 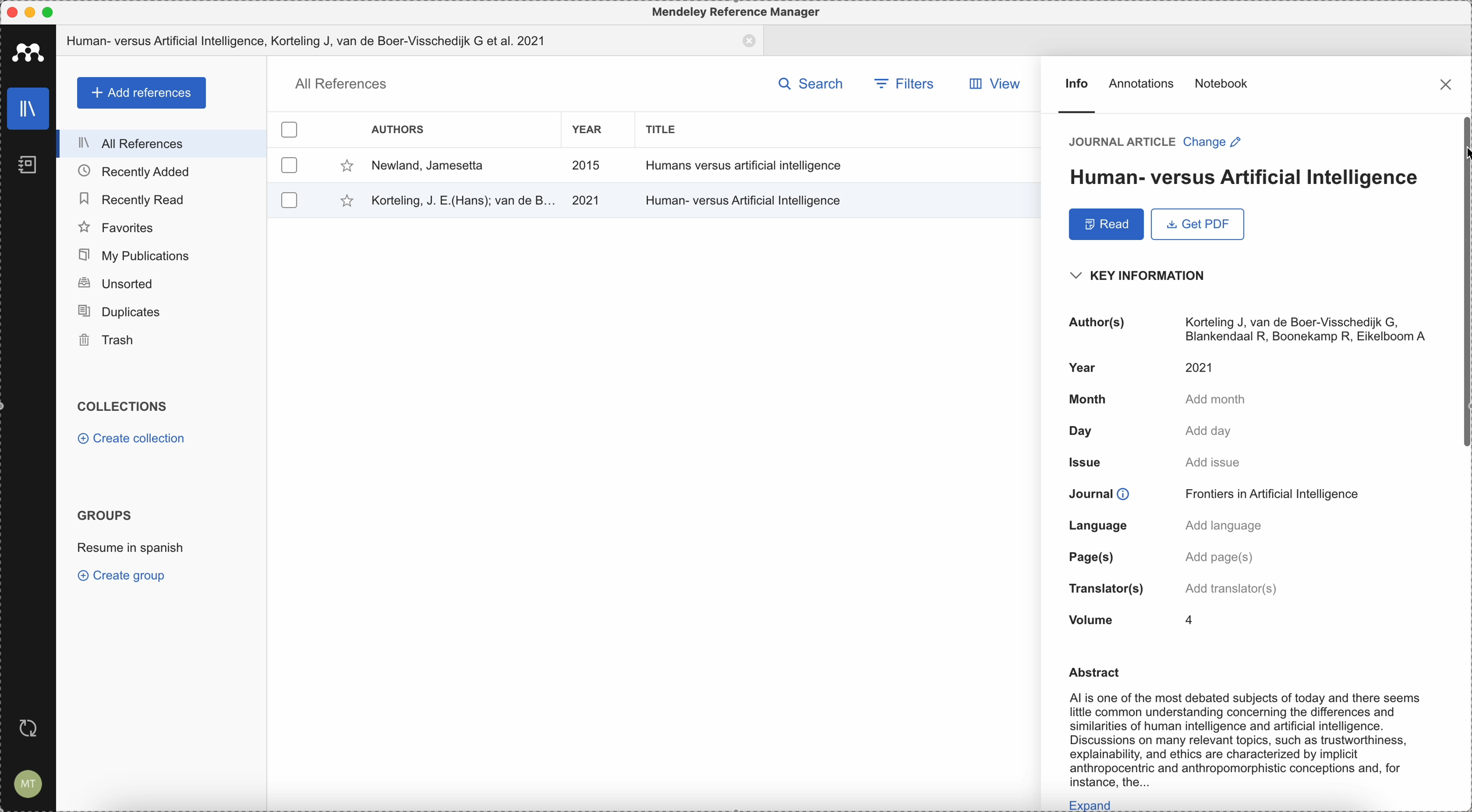 I want to click on Human-versus Artificial Intelligence, so click(x=747, y=198).